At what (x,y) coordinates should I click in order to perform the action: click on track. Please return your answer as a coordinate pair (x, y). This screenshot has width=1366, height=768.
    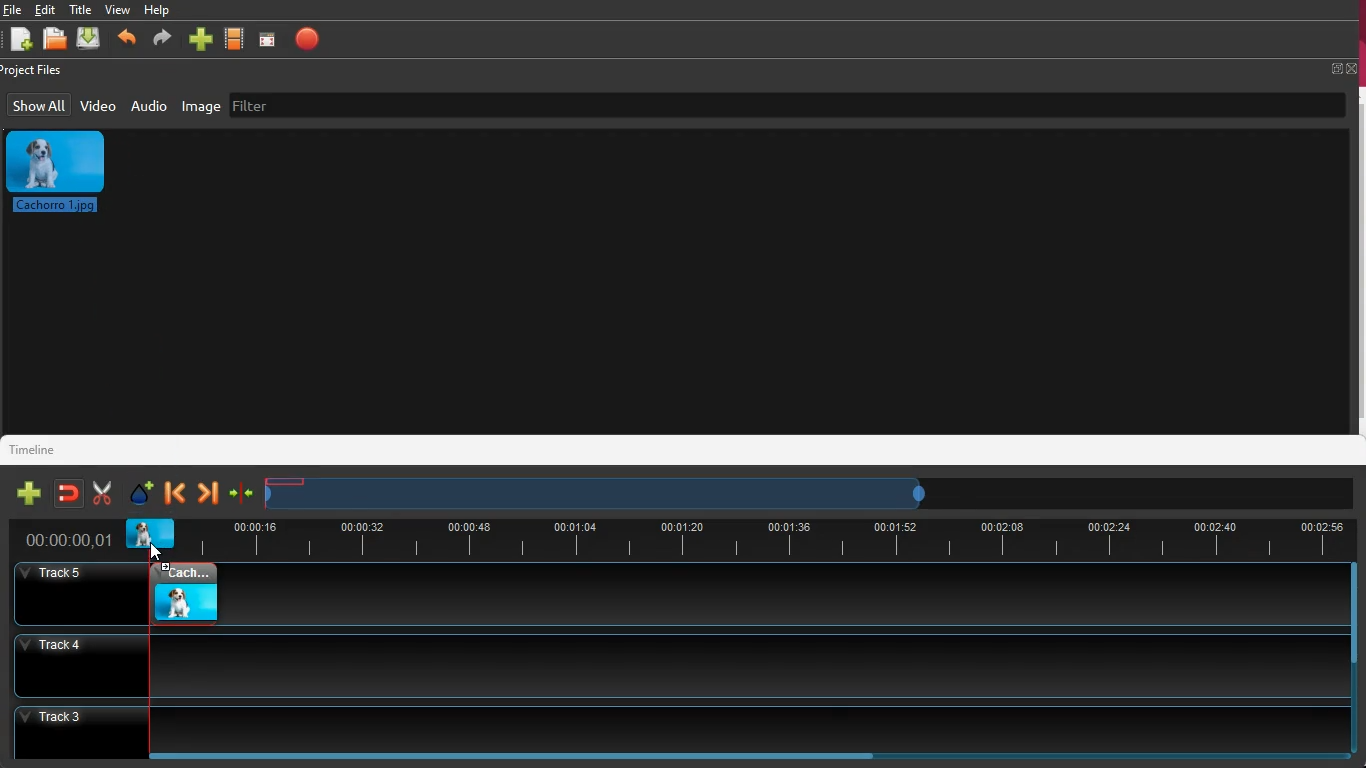
    Looking at the image, I should click on (668, 722).